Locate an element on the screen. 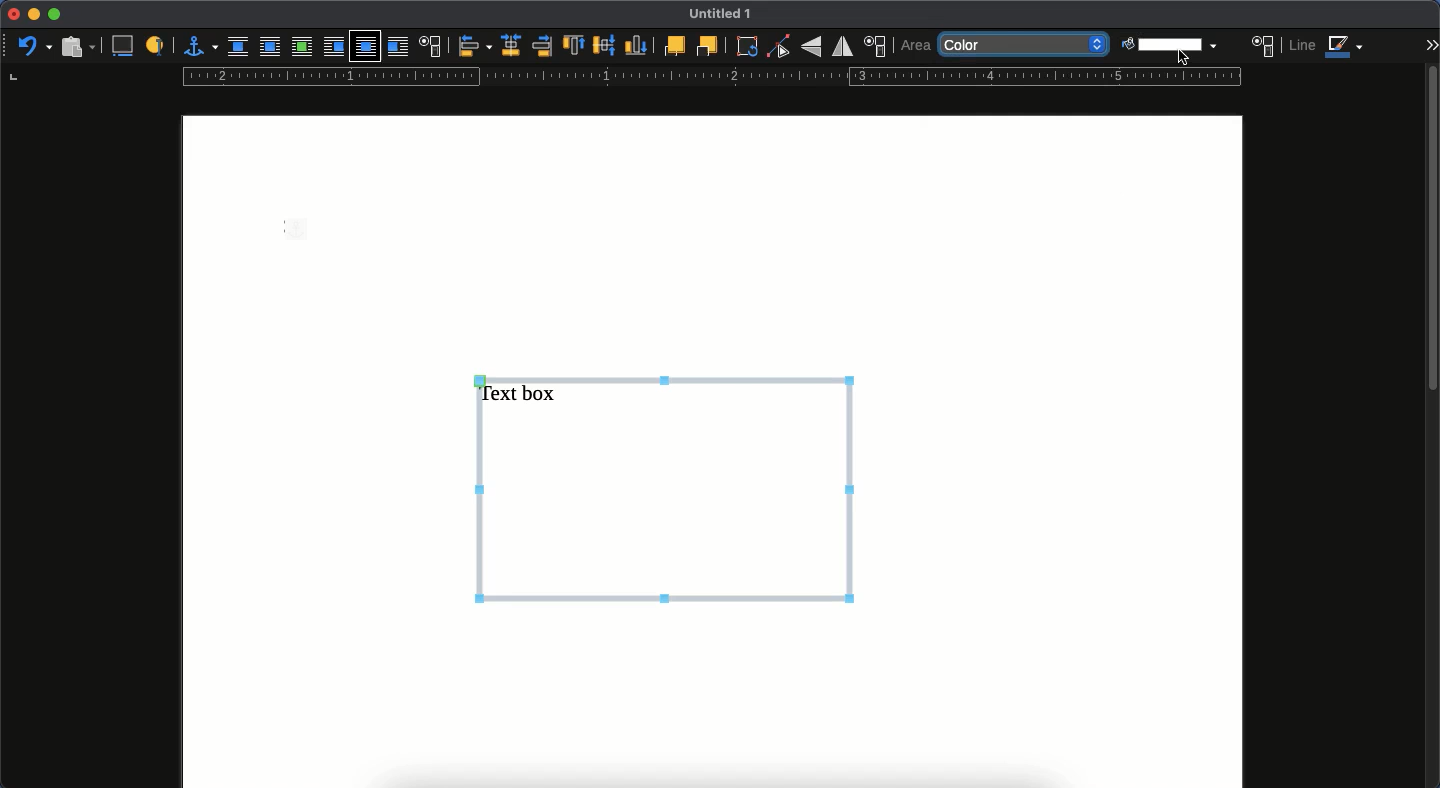  undo is located at coordinates (34, 45).